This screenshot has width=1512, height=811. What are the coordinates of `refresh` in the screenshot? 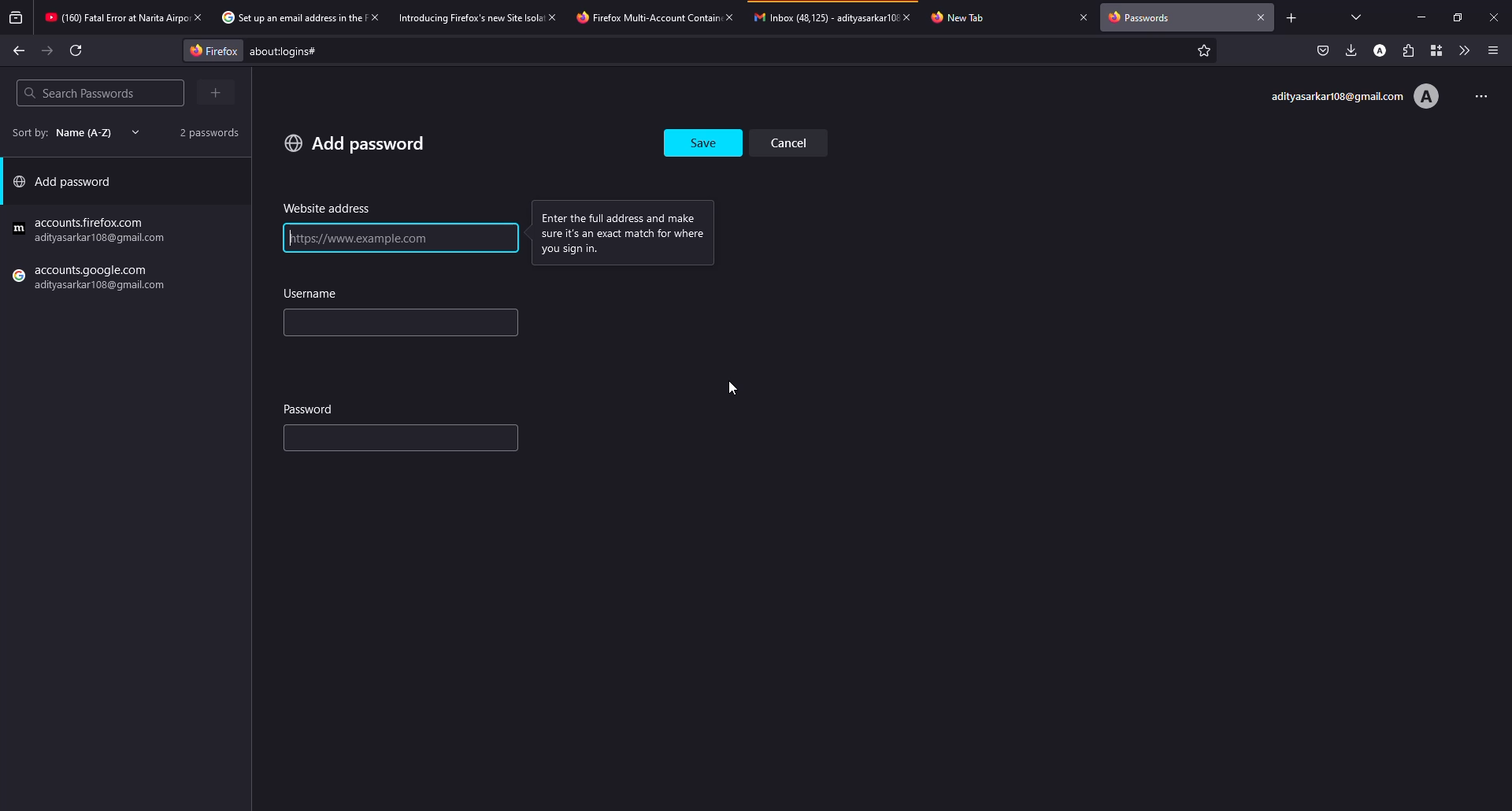 It's located at (77, 50).